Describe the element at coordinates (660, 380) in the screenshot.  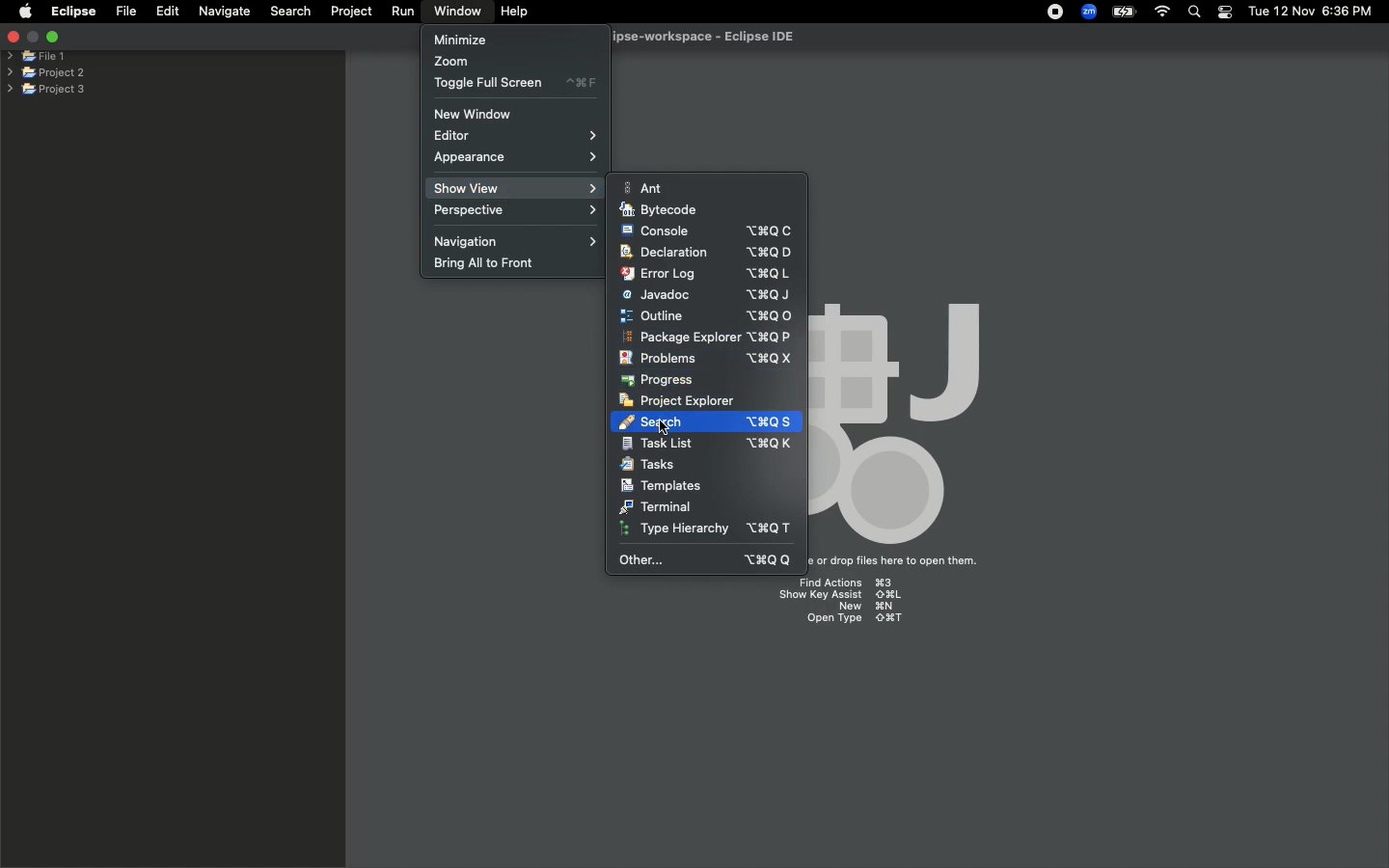
I see `Progress` at that location.